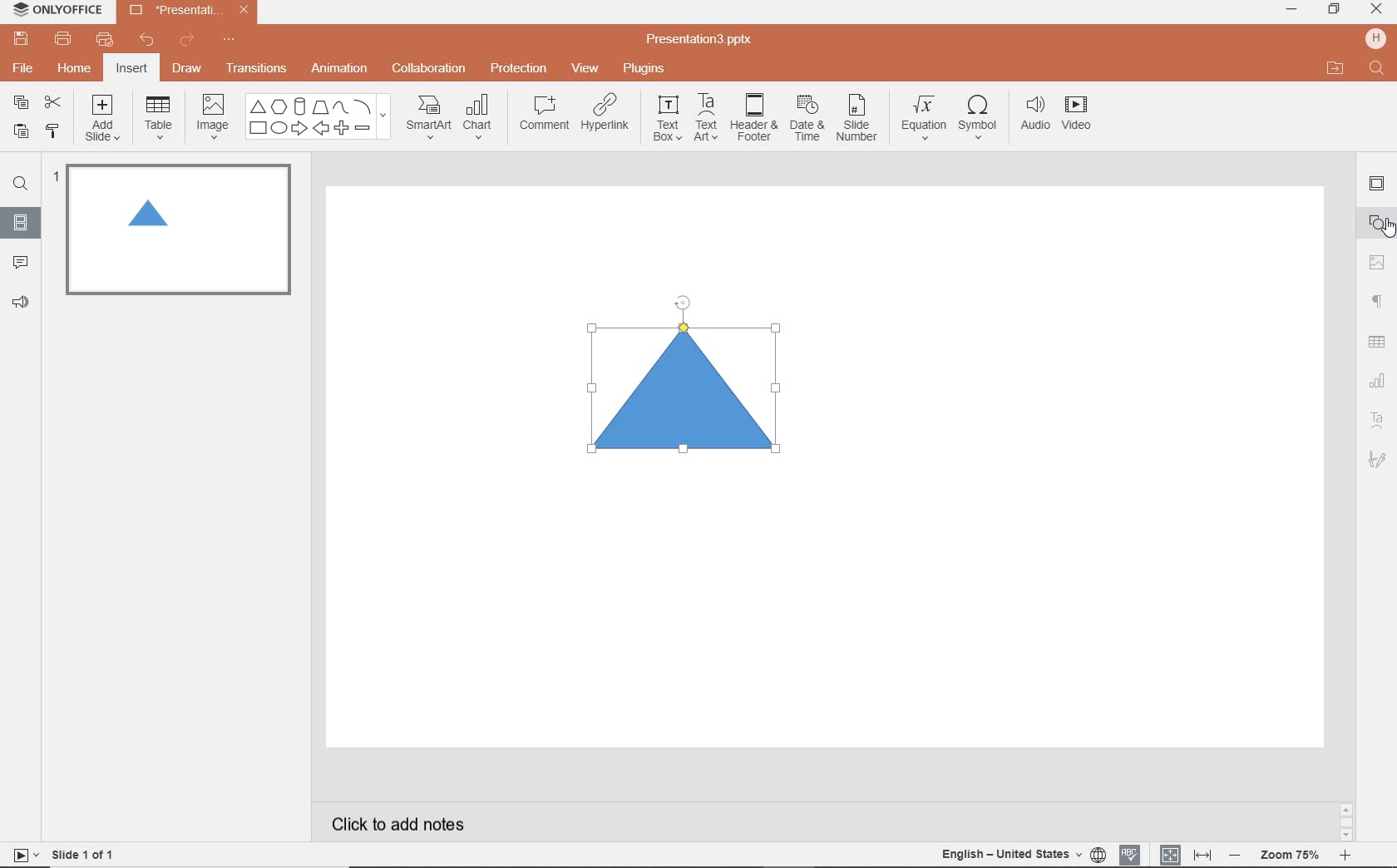 This screenshot has height=868, width=1397. Describe the element at coordinates (434, 70) in the screenshot. I see `COLLABORATION` at that location.